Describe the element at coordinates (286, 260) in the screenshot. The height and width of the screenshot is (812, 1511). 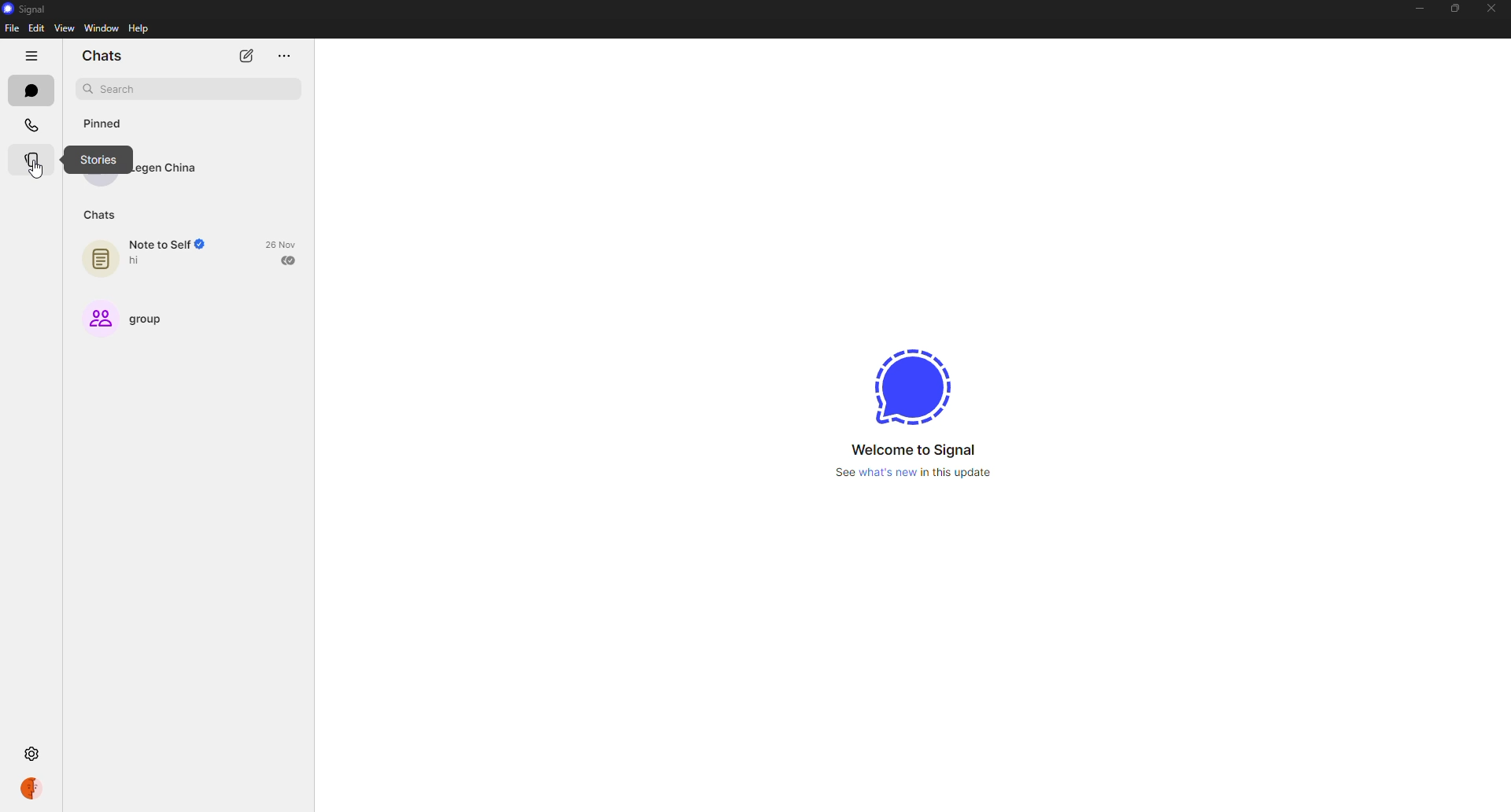
I see `sent` at that location.